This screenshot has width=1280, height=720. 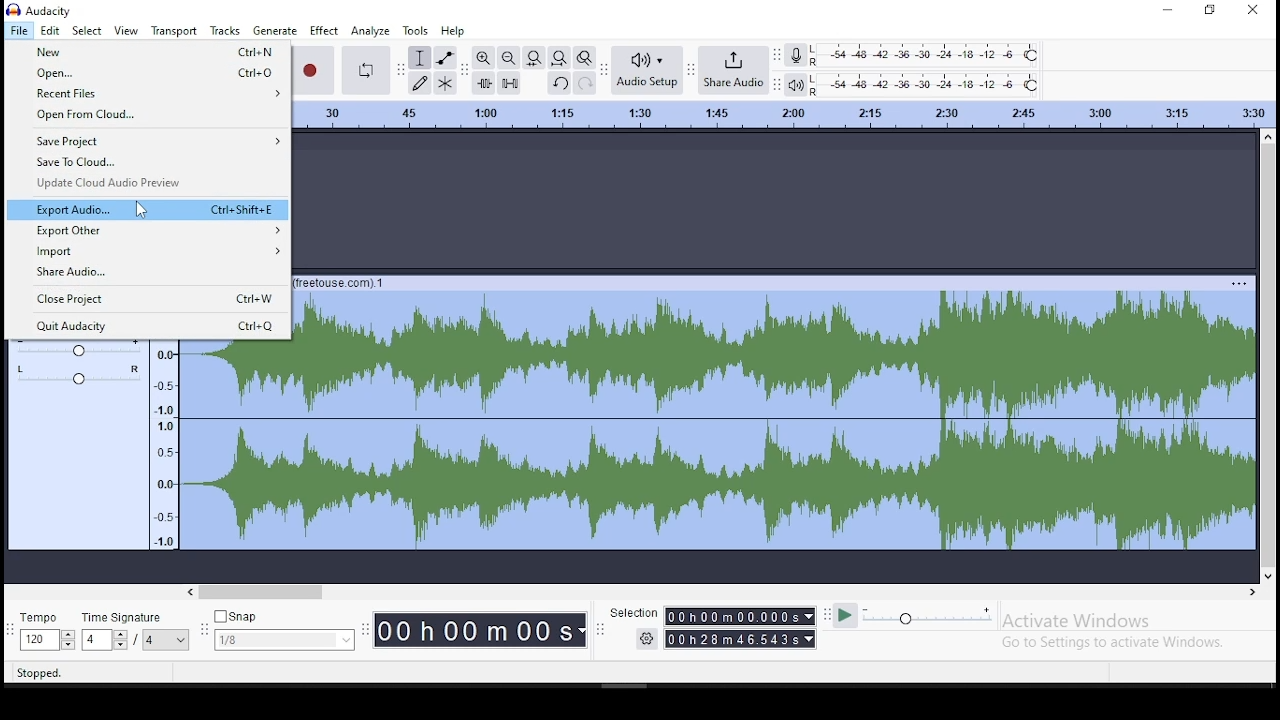 What do you see at coordinates (647, 638) in the screenshot?
I see `settings` at bounding box center [647, 638].